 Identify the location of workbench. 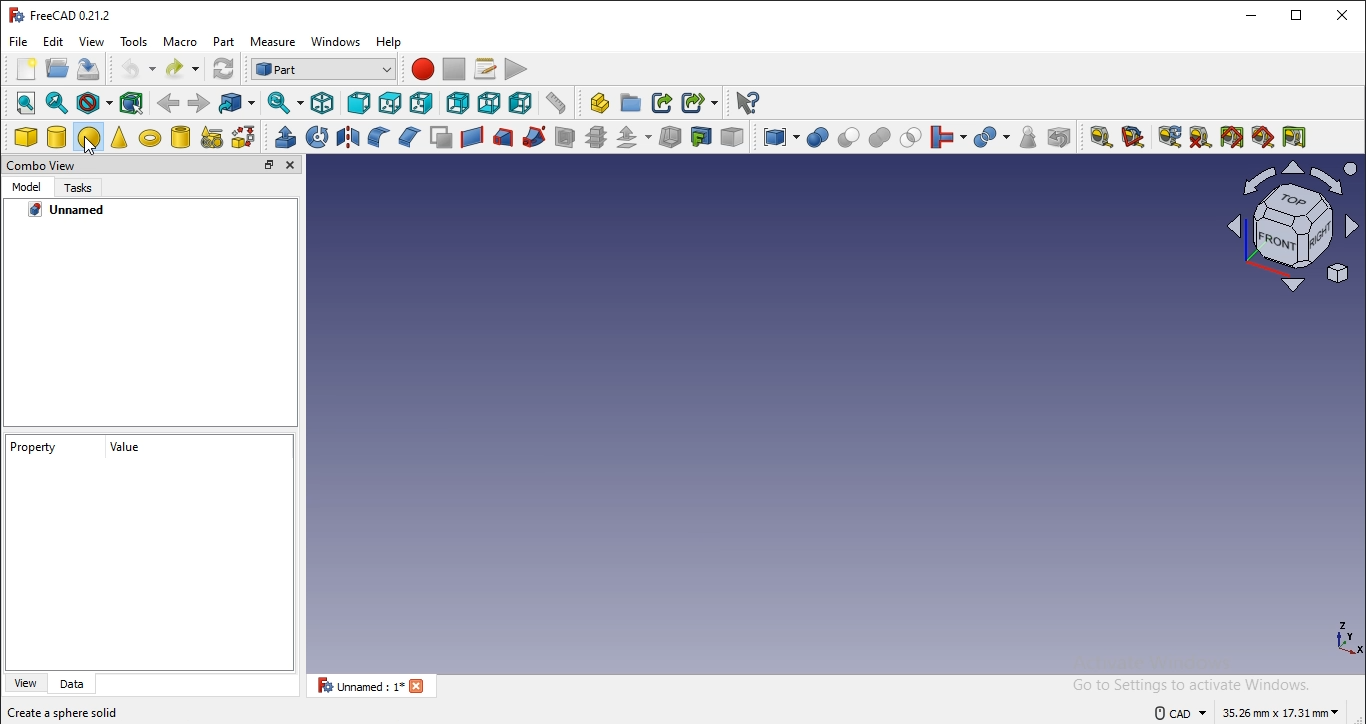
(324, 70).